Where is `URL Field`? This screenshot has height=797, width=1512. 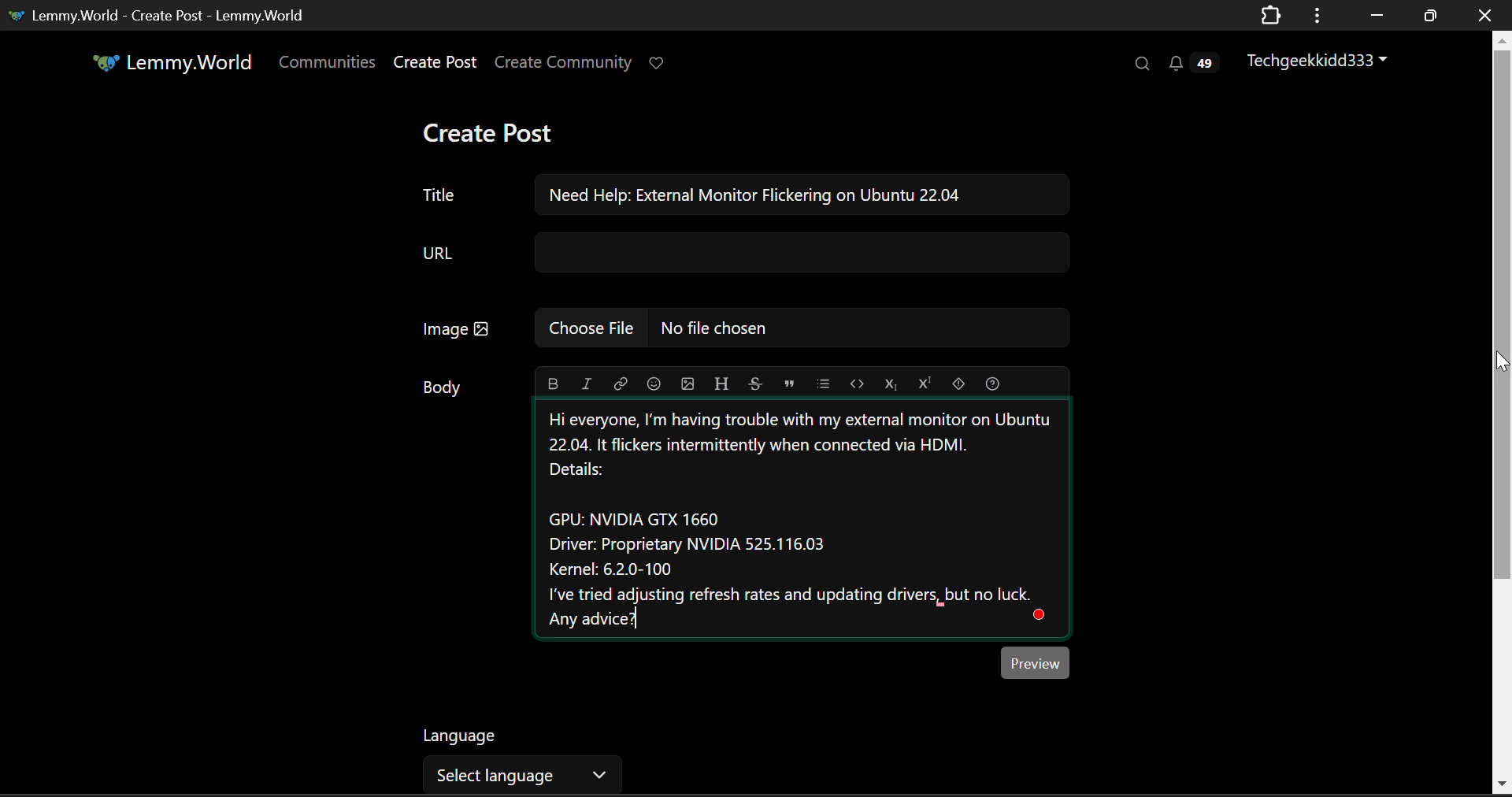
URL Field is located at coordinates (733, 251).